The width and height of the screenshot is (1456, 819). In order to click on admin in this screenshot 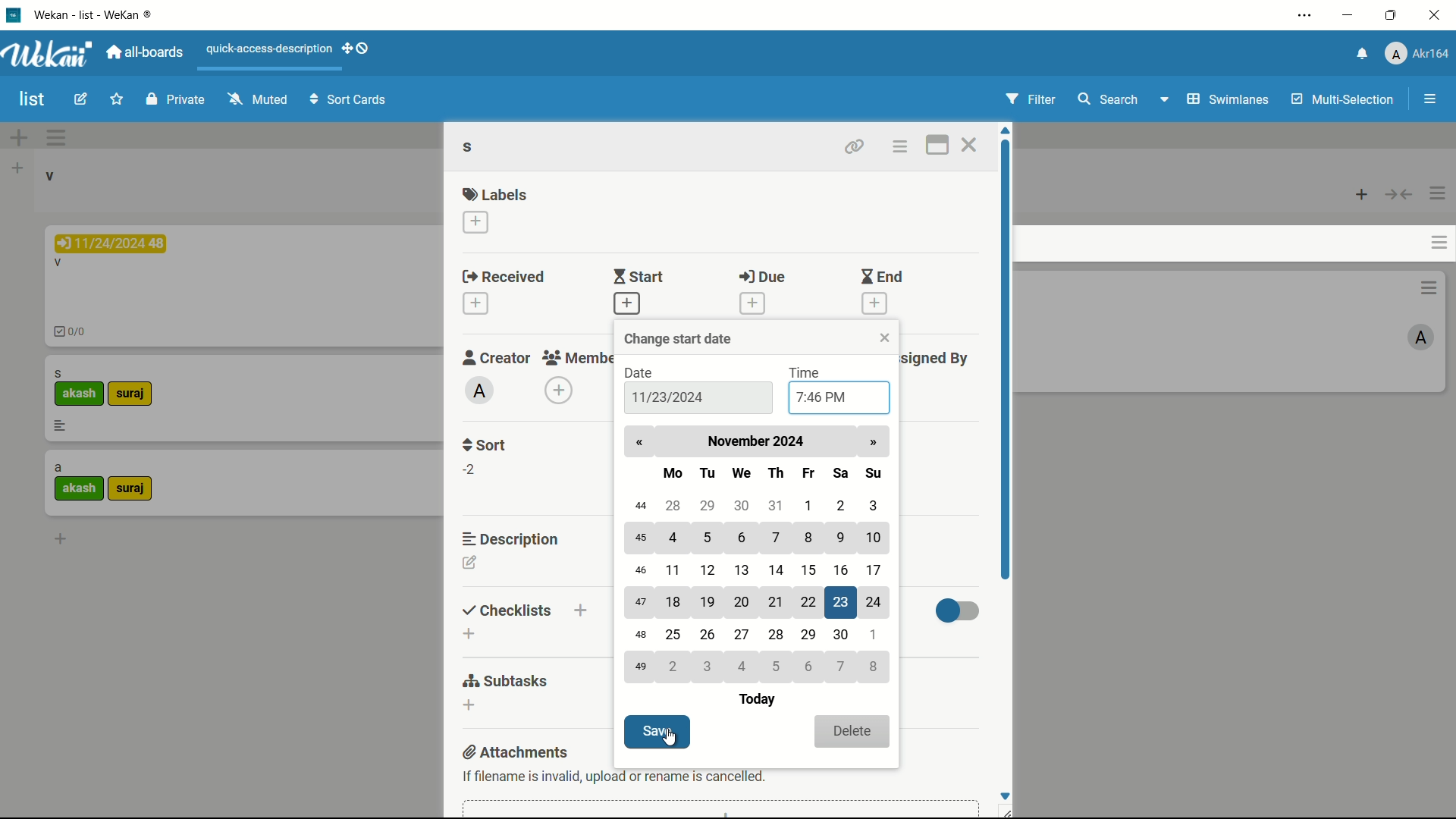, I will do `click(479, 391)`.